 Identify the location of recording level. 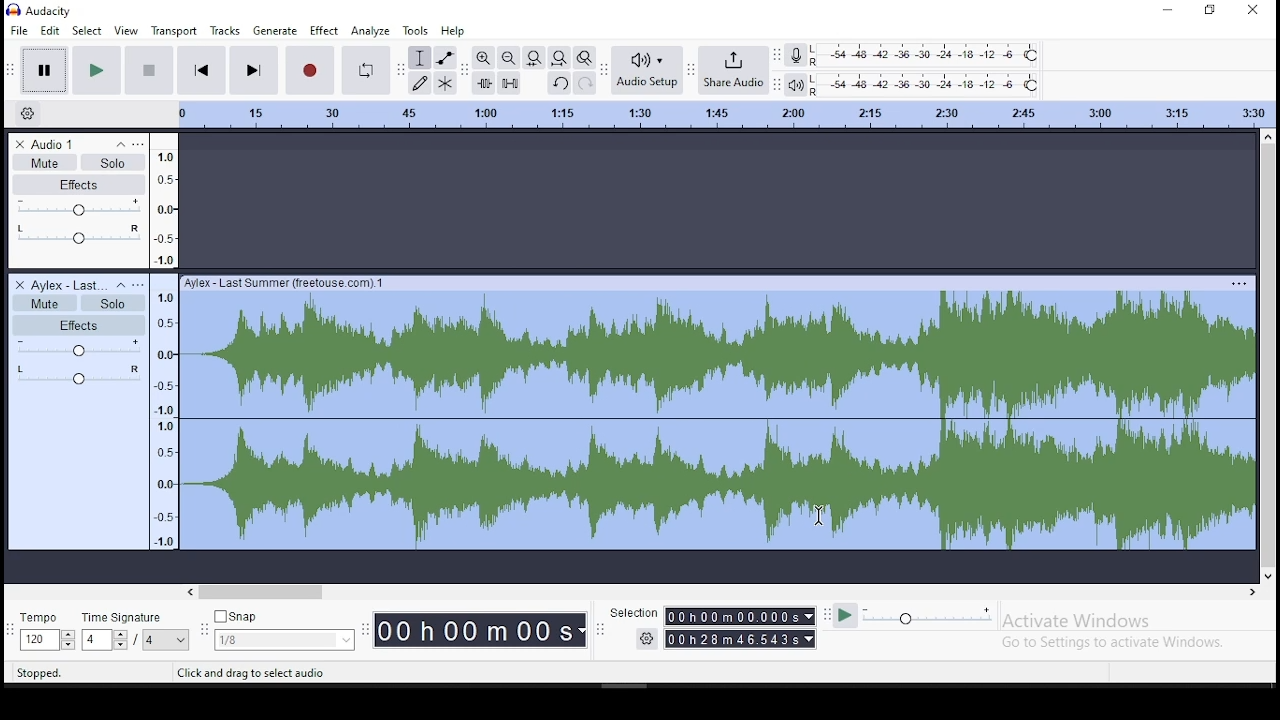
(925, 54).